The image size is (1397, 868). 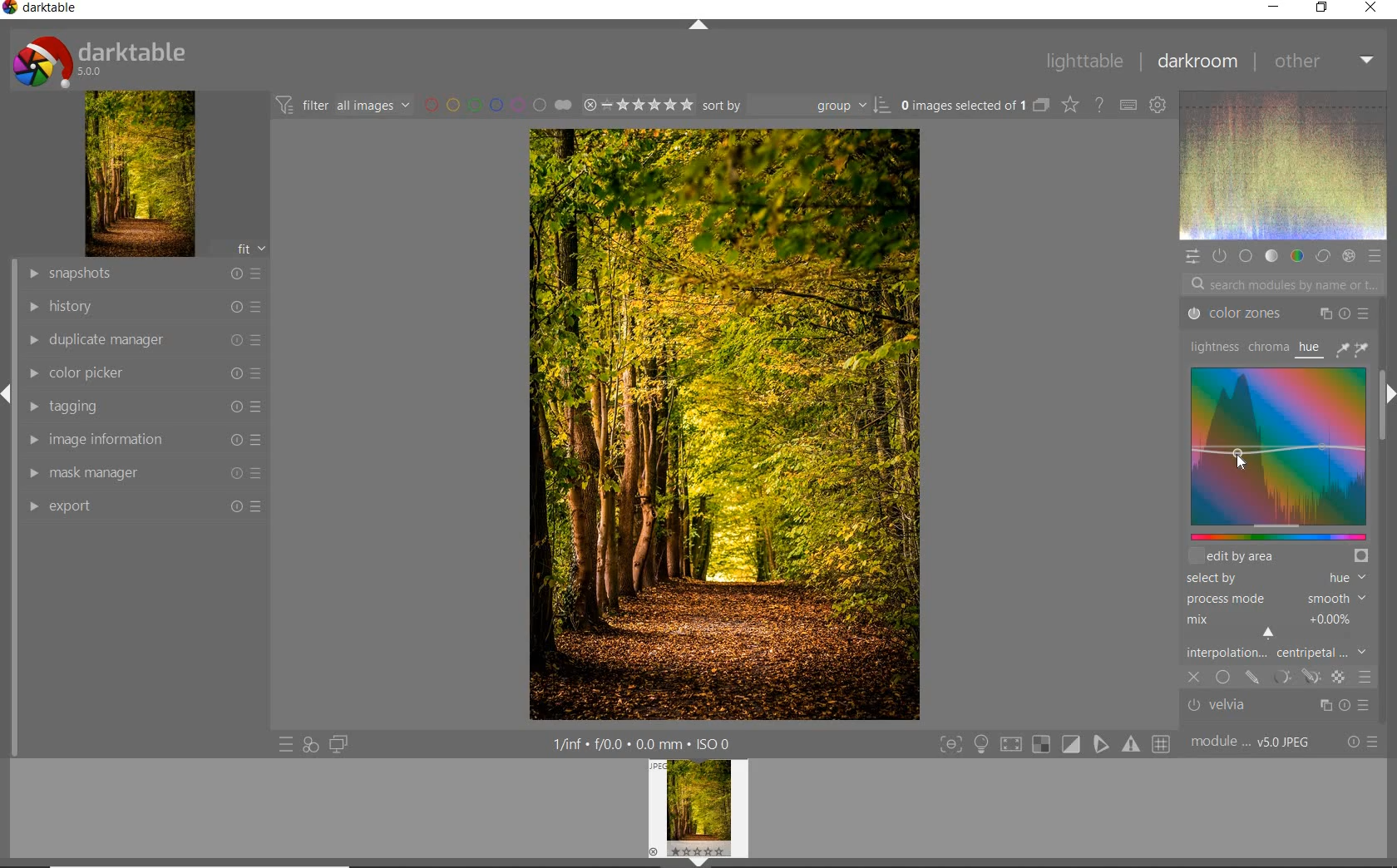 I want to click on SELECTED IMAGE RANGE RATING, so click(x=636, y=103).